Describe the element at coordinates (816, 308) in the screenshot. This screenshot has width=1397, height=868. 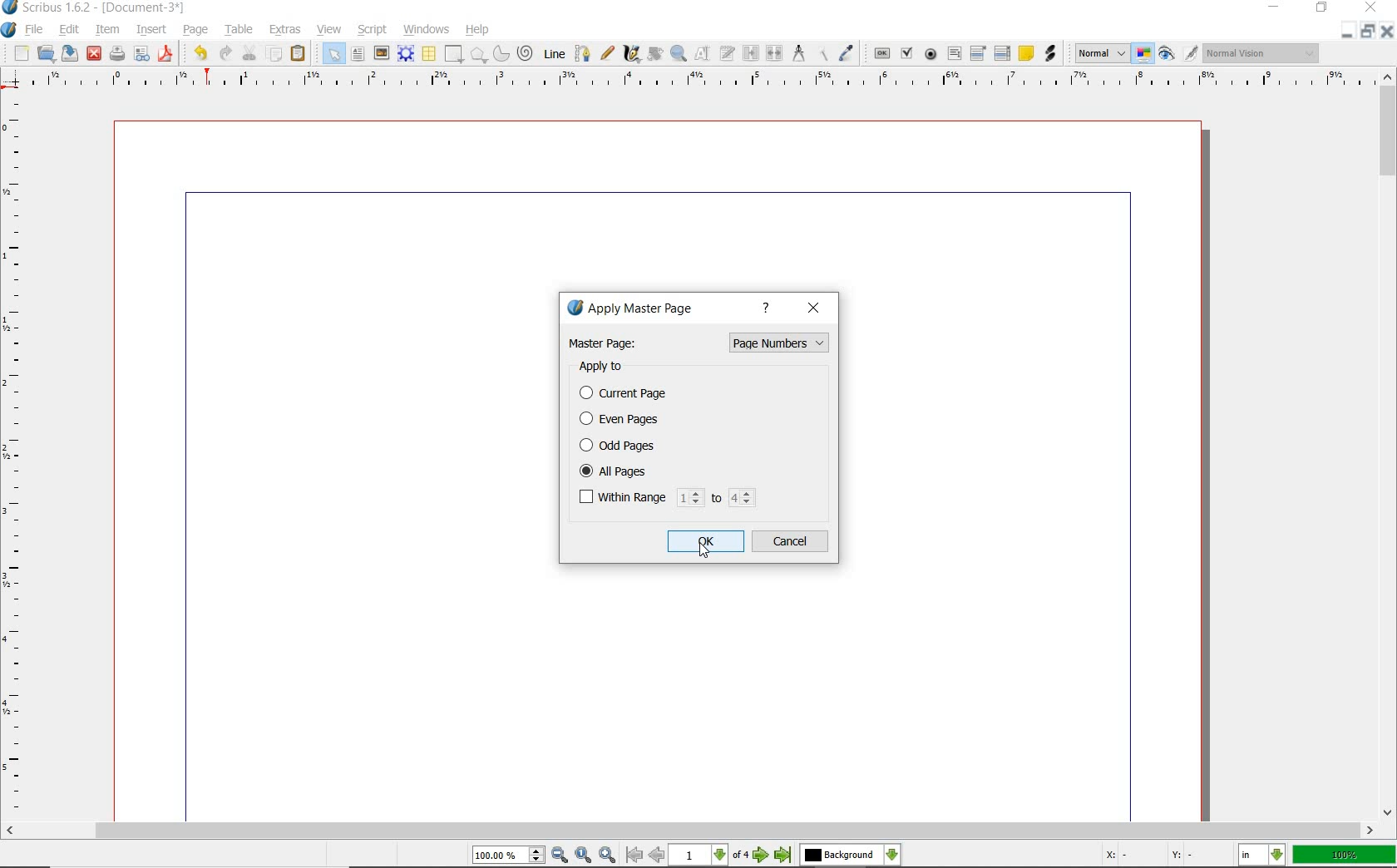
I see `close` at that location.